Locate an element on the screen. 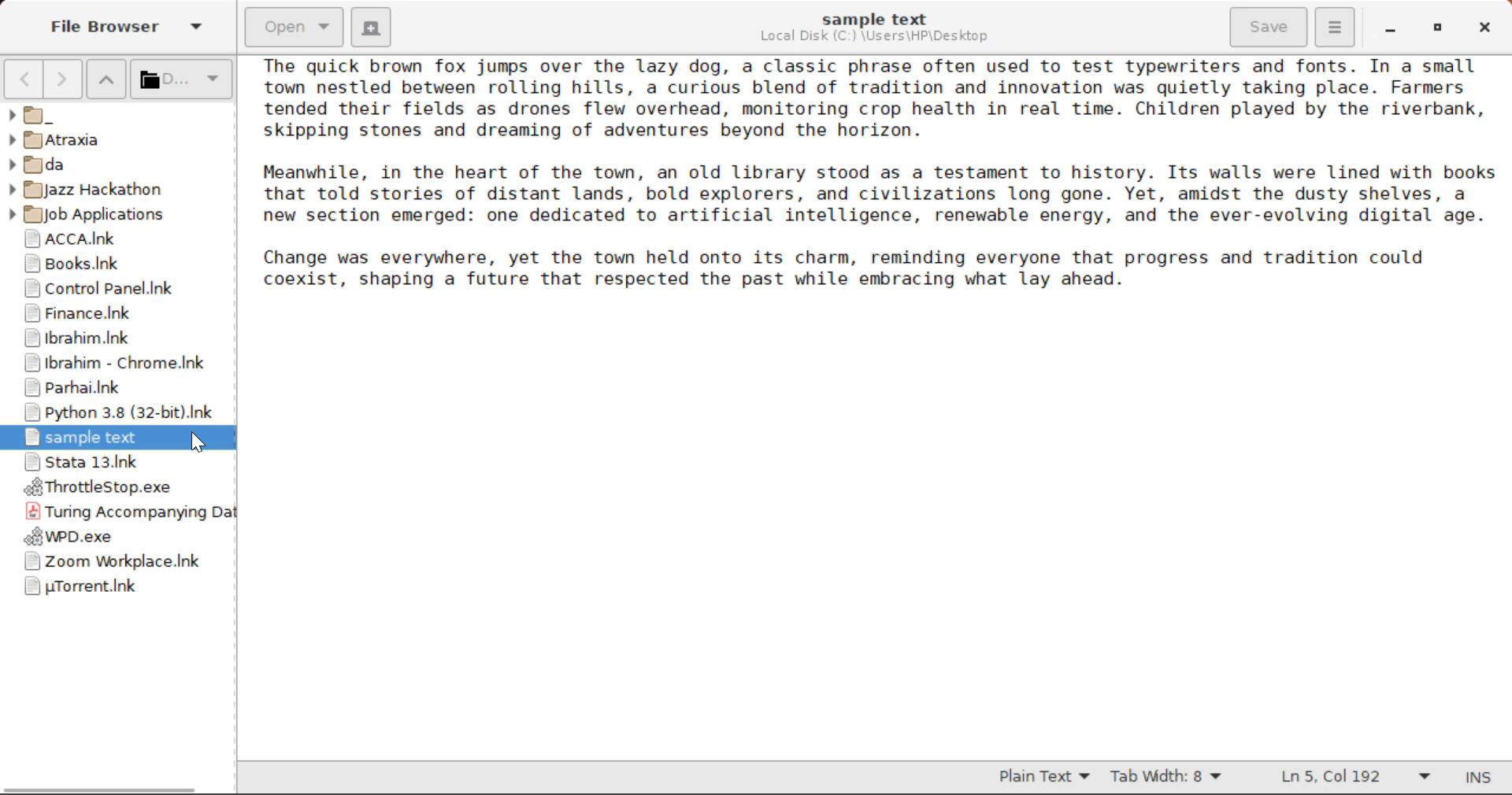 The width and height of the screenshot is (1512, 795). WPD Application is located at coordinates (118, 538).